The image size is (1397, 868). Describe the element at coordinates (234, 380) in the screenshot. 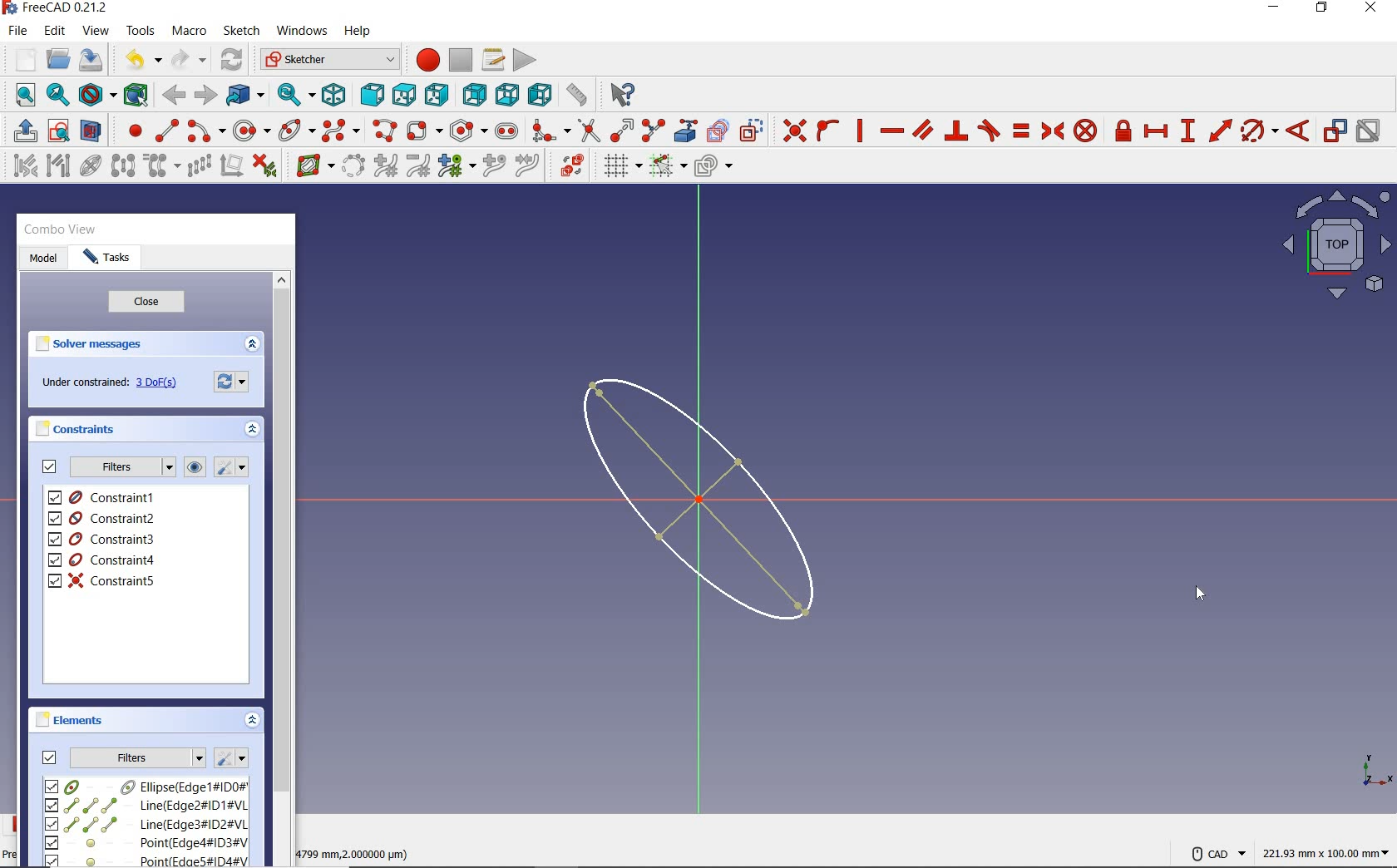

I see `settings` at that location.